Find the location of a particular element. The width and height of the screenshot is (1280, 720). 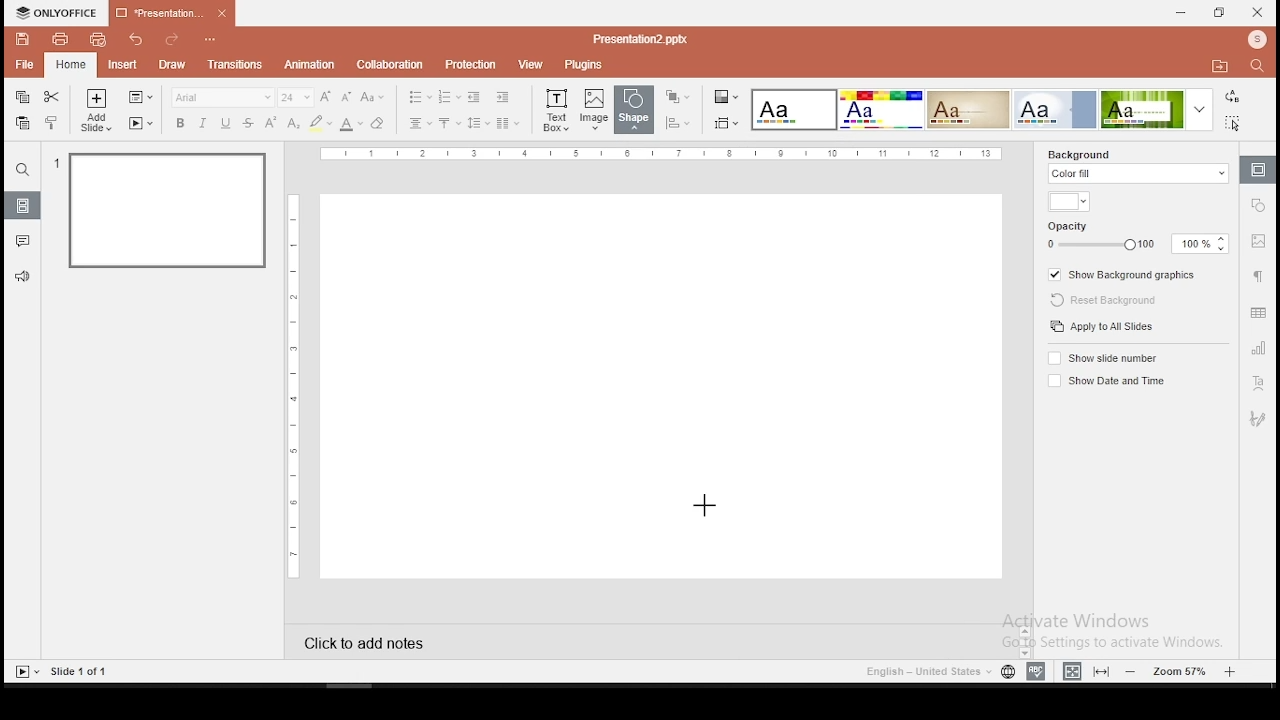

spell check is located at coordinates (1039, 669).